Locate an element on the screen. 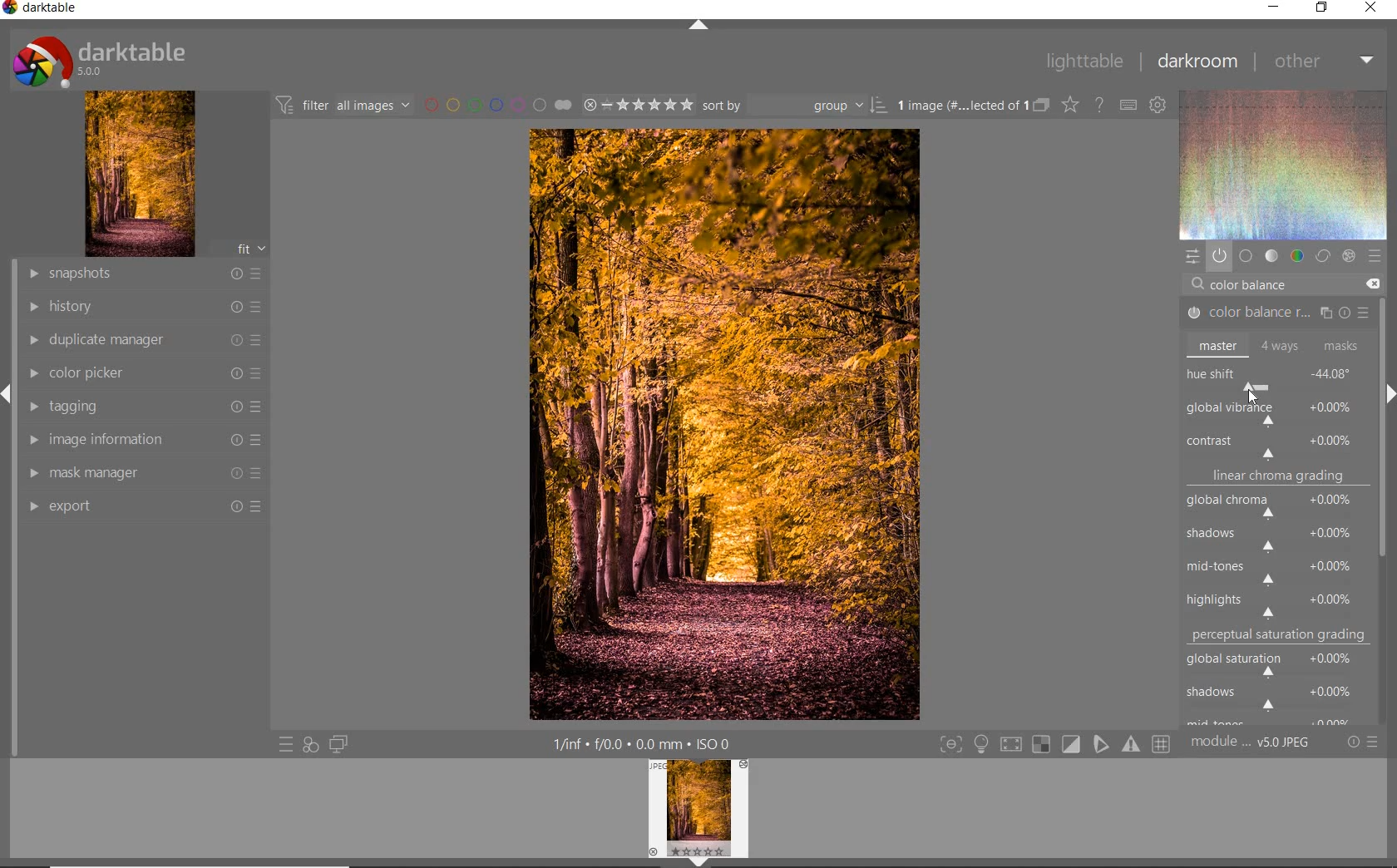 This screenshot has height=868, width=1397. history is located at coordinates (144, 305).